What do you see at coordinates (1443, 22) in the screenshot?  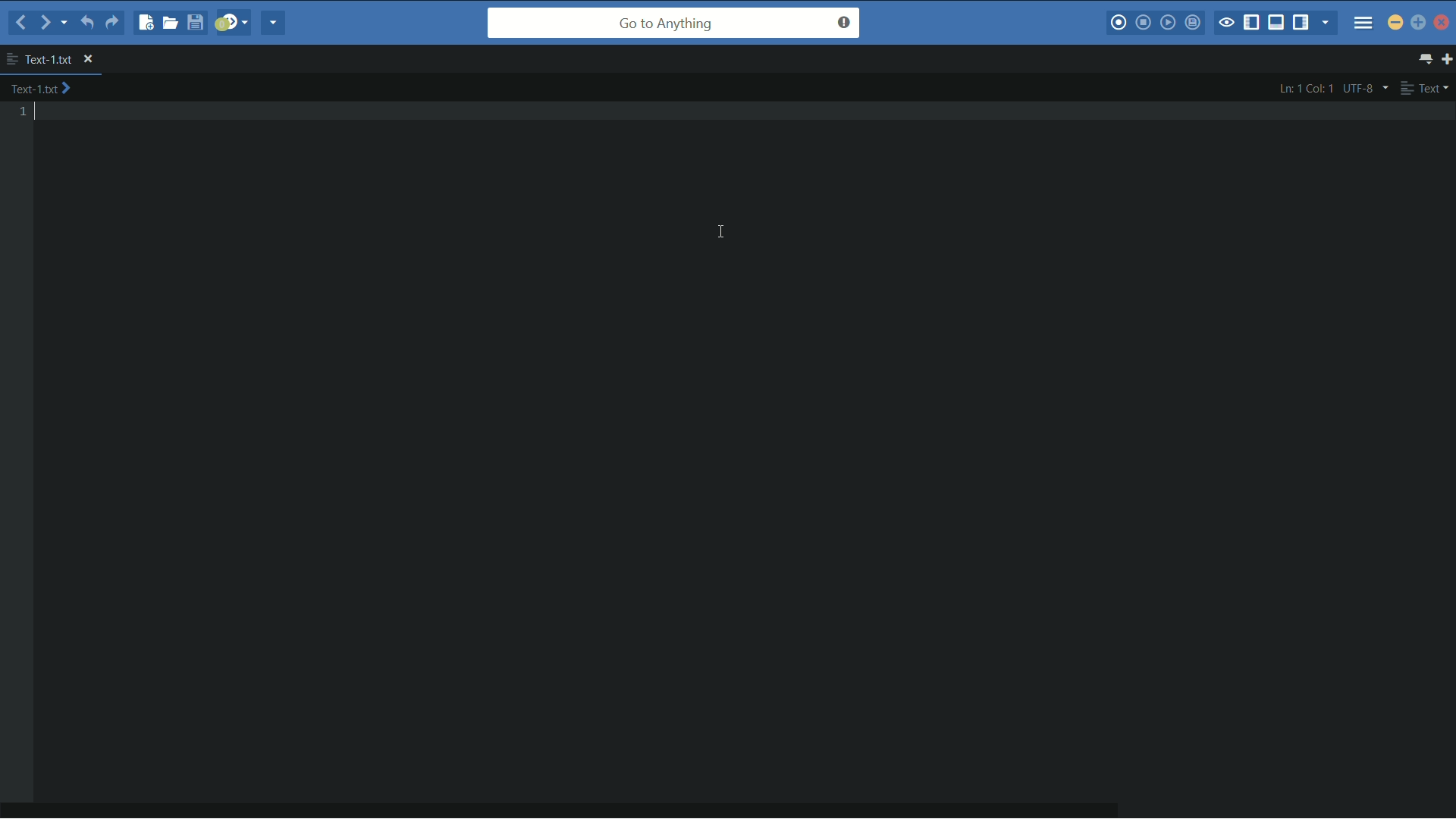 I see `close app` at bounding box center [1443, 22].